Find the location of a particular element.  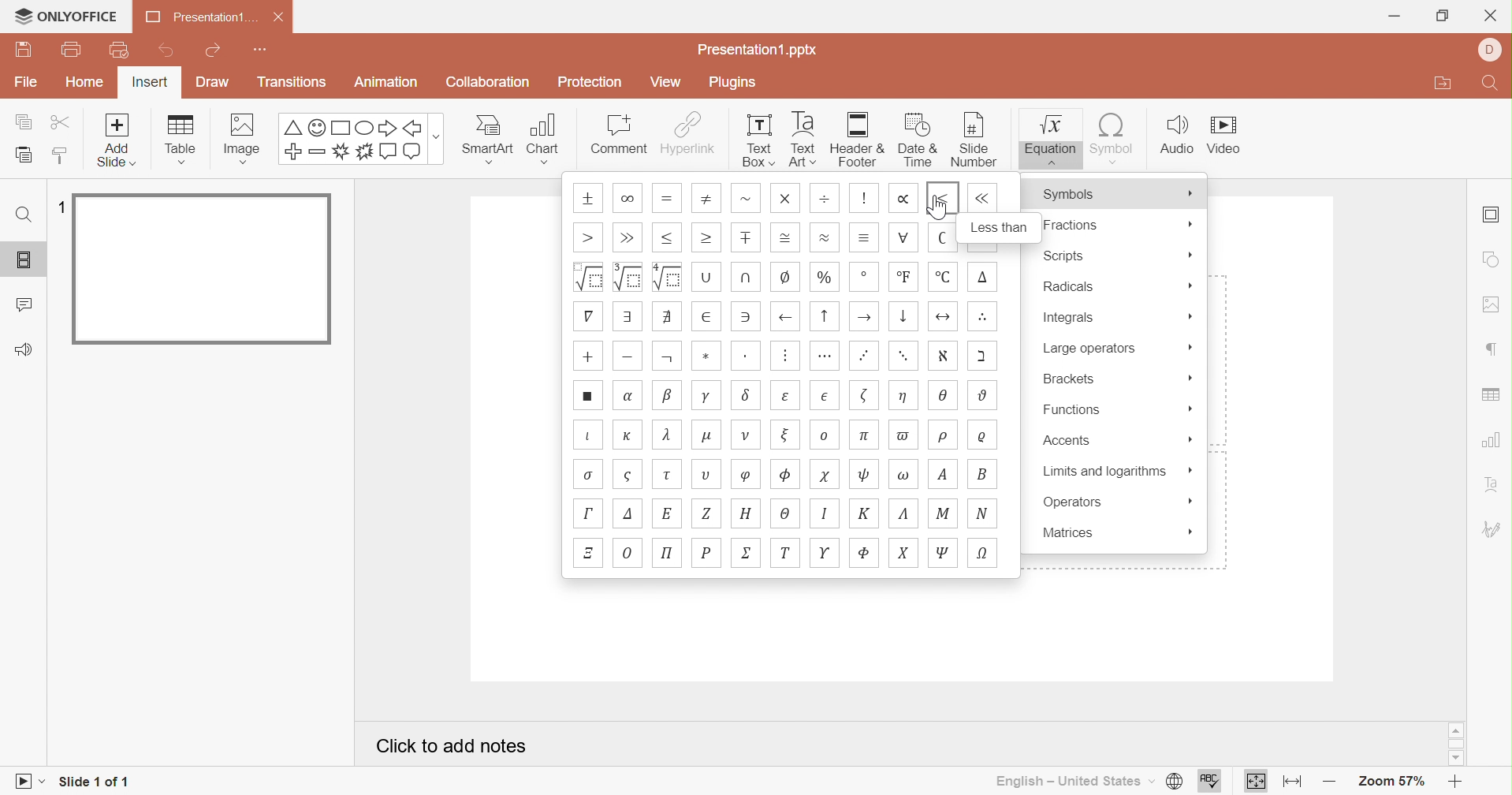

shape settings is located at coordinates (1492, 259).